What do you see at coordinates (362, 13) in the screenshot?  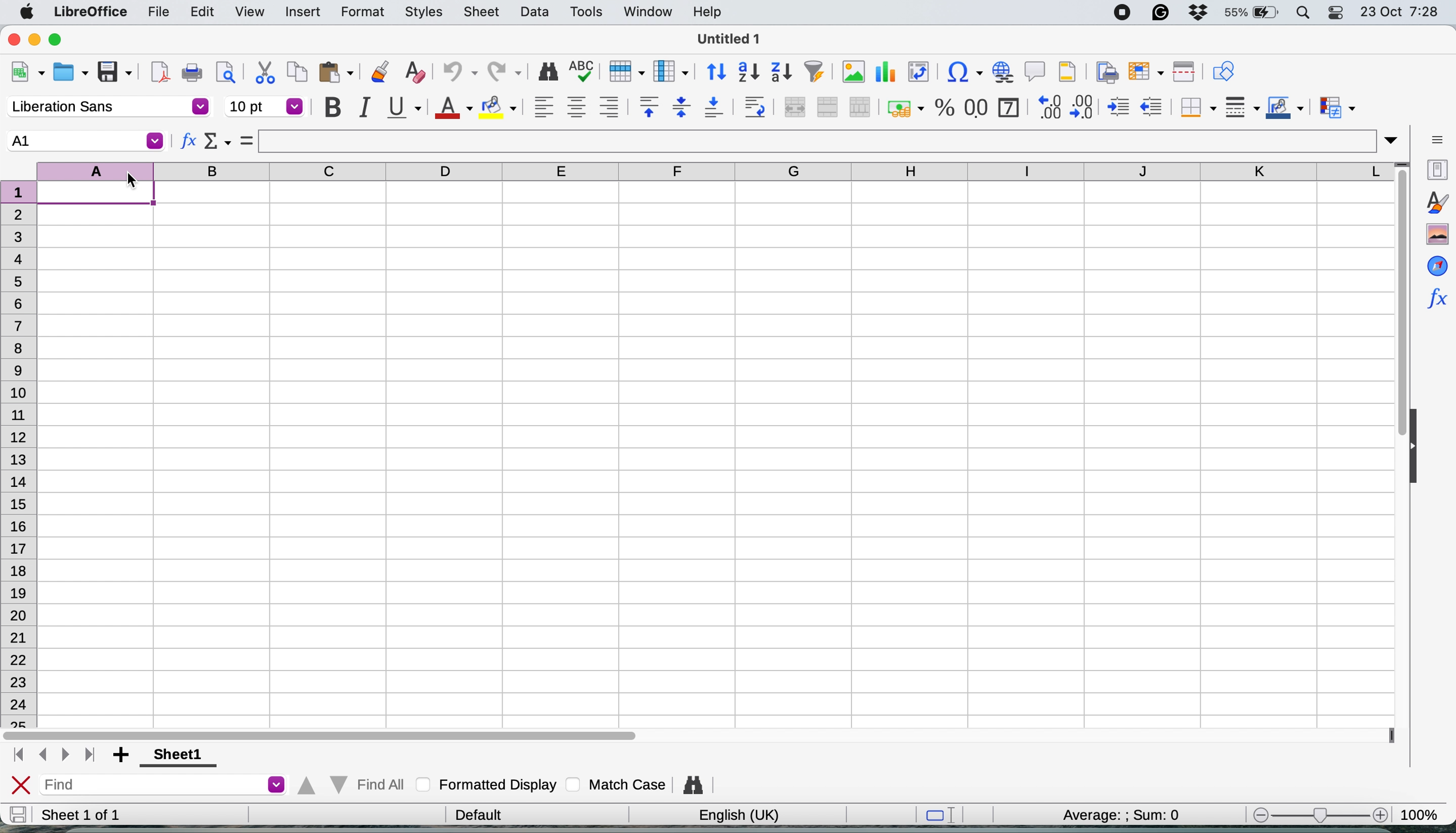 I see `format` at bounding box center [362, 13].